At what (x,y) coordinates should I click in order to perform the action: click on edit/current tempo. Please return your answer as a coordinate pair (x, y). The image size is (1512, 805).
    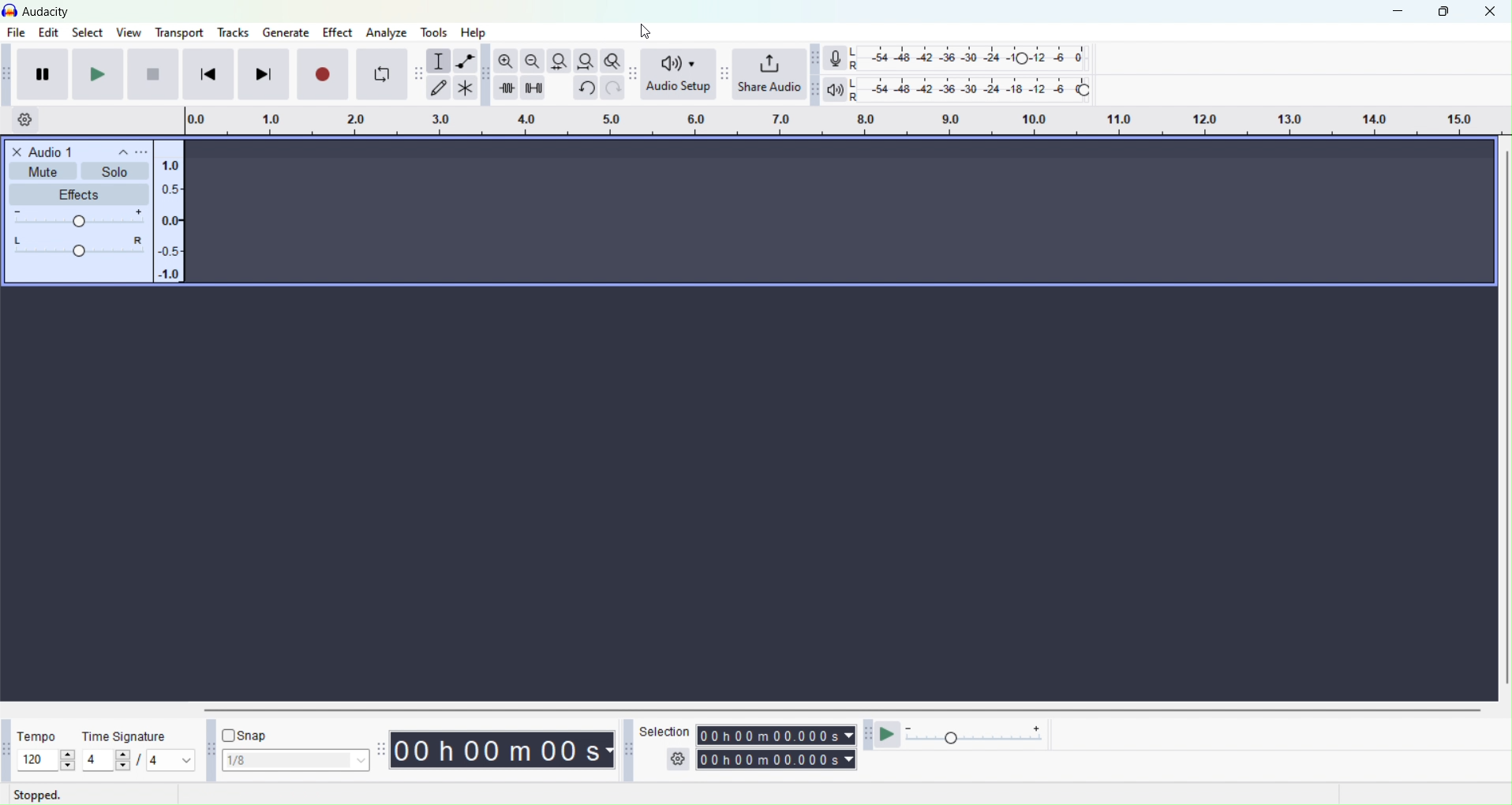
    Looking at the image, I should click on (32, 760).